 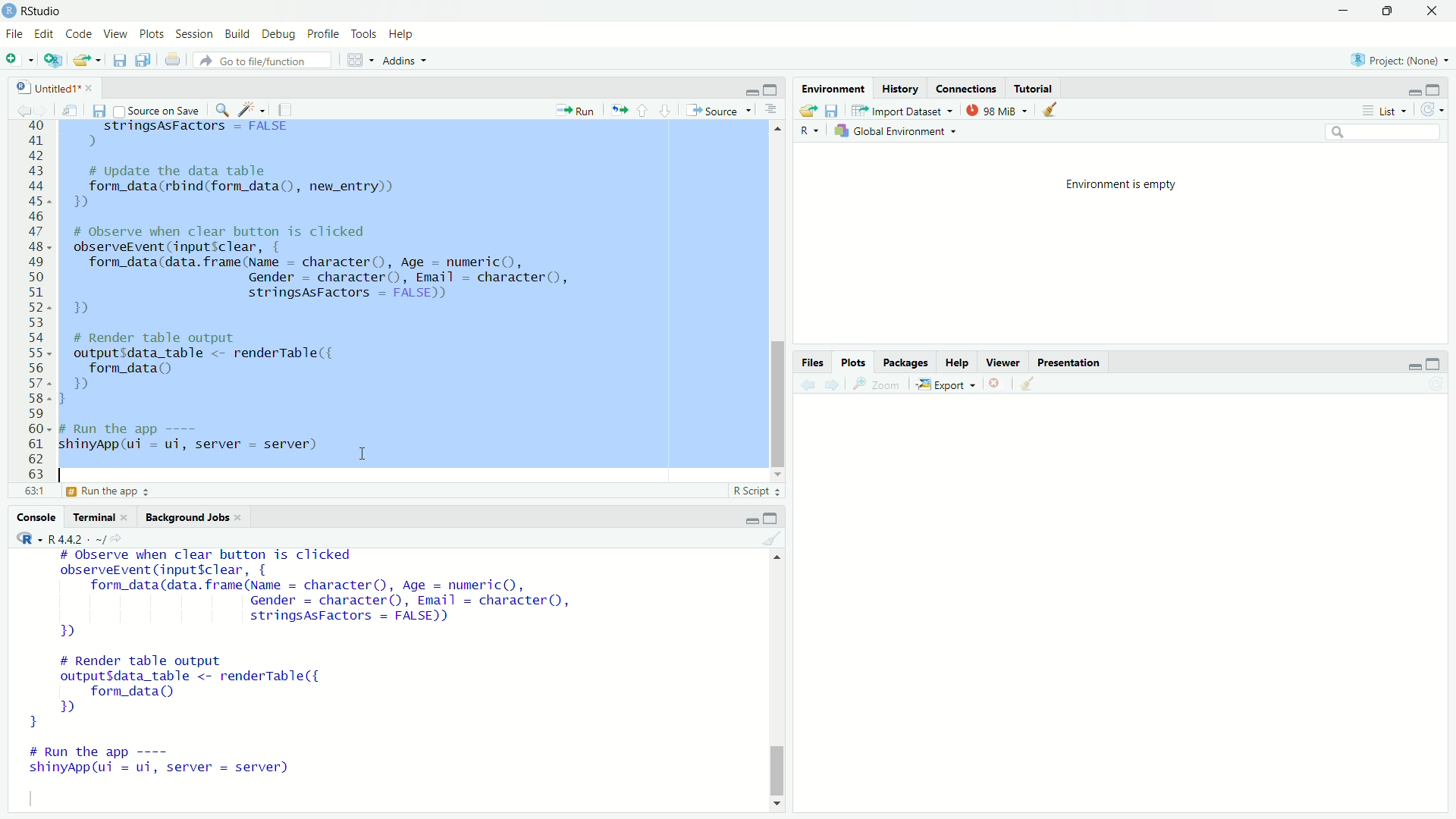 What do you see at coordinates (907, 362) in the screenshot?
I see `packages` at bounding box center [907, 362].